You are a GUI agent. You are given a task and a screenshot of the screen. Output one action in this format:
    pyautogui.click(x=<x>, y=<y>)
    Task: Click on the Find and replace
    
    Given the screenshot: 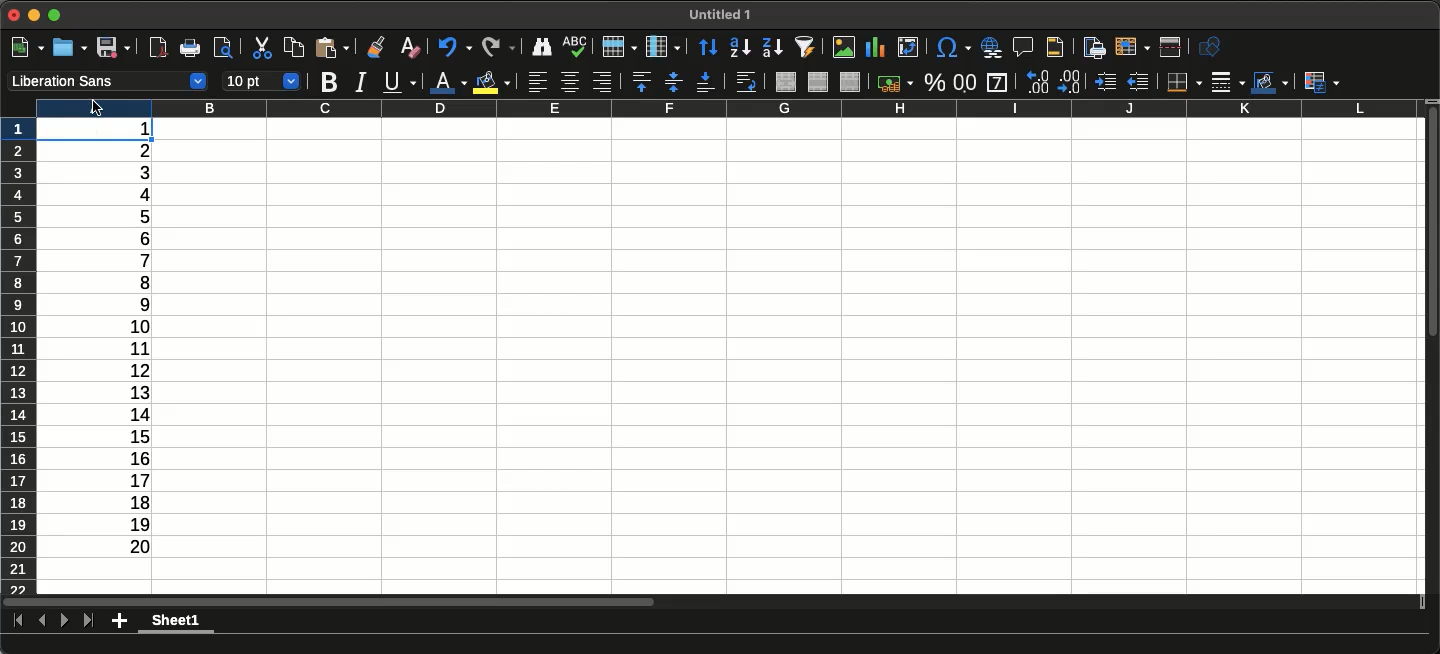 What is the action you would take?
    pyautogui.click(x=539, y=46)
    